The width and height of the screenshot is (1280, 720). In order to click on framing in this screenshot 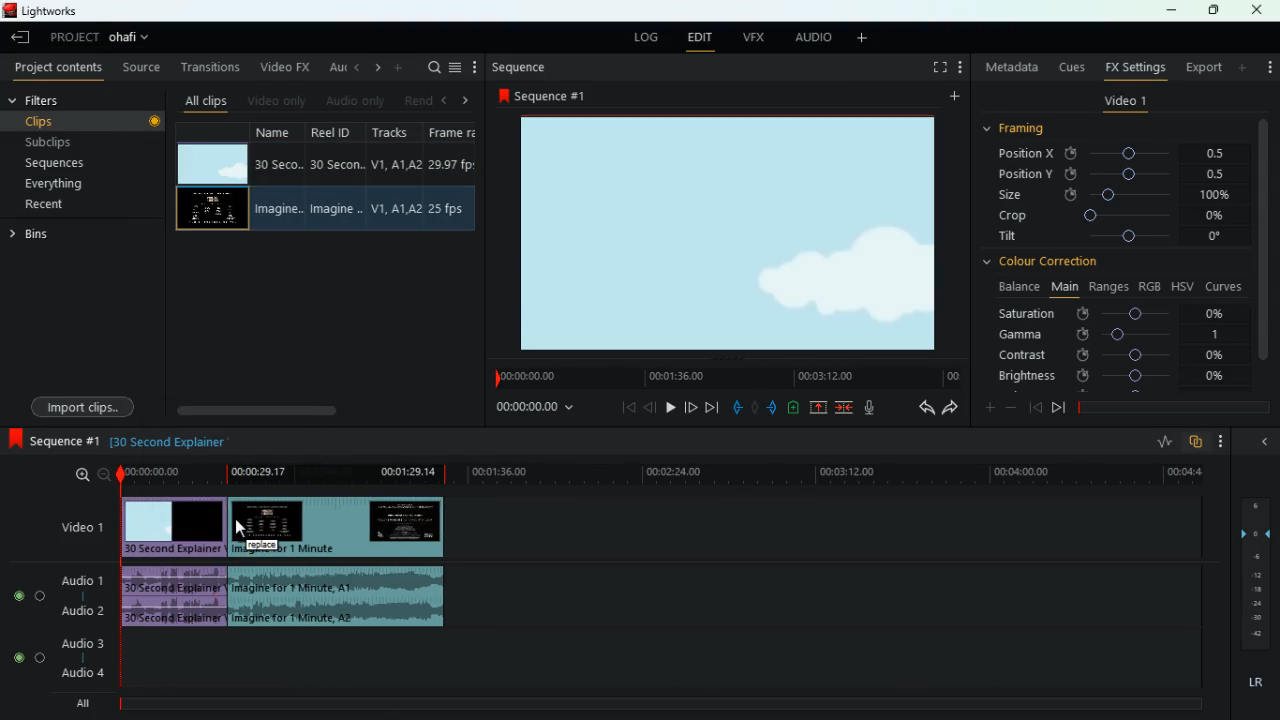, I will do `click(1026, 129)`.